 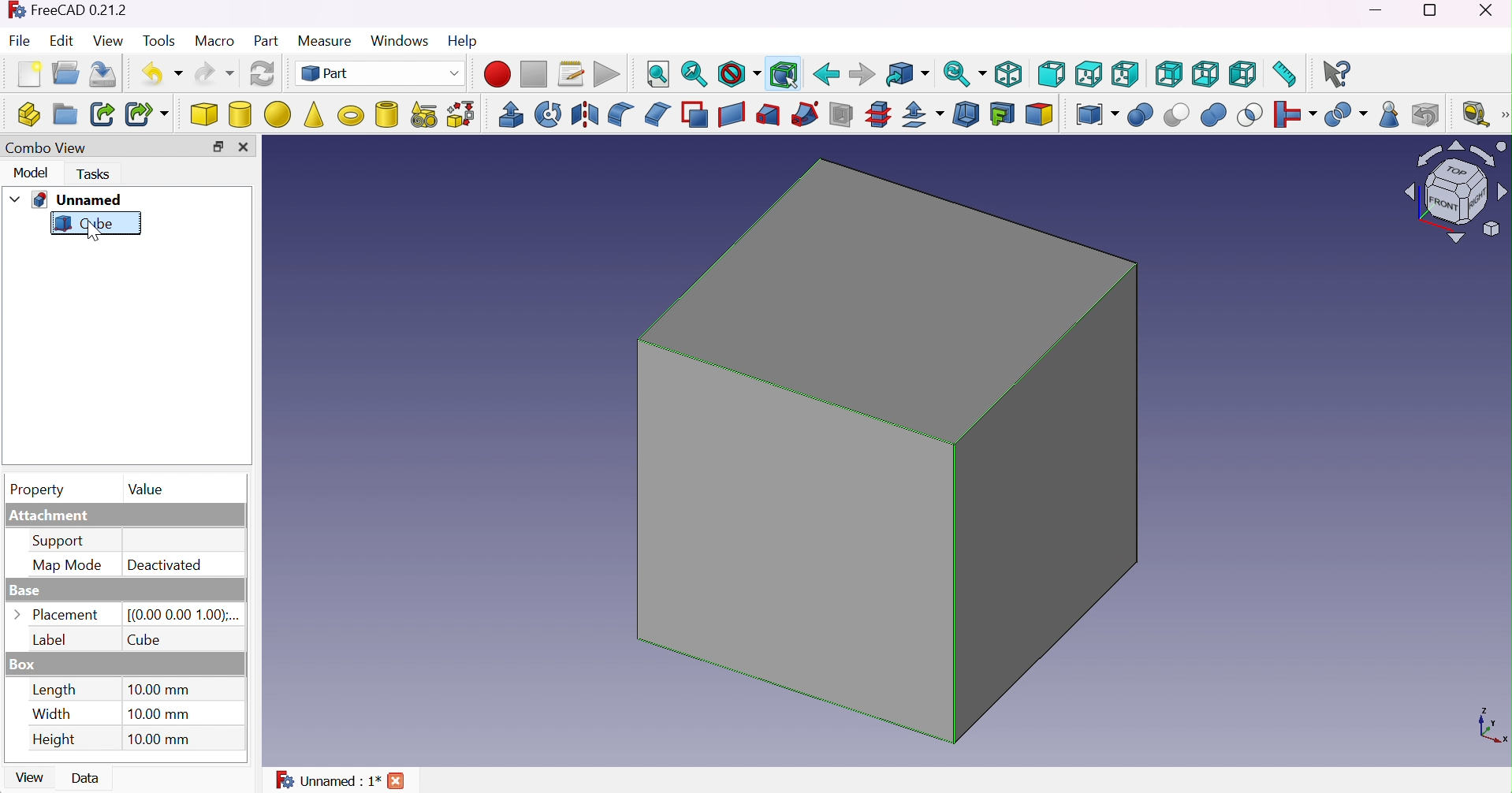 What do you see at coordinates (108, 39) in the screenshot?
I see `View` at bounding box center [108, 39].